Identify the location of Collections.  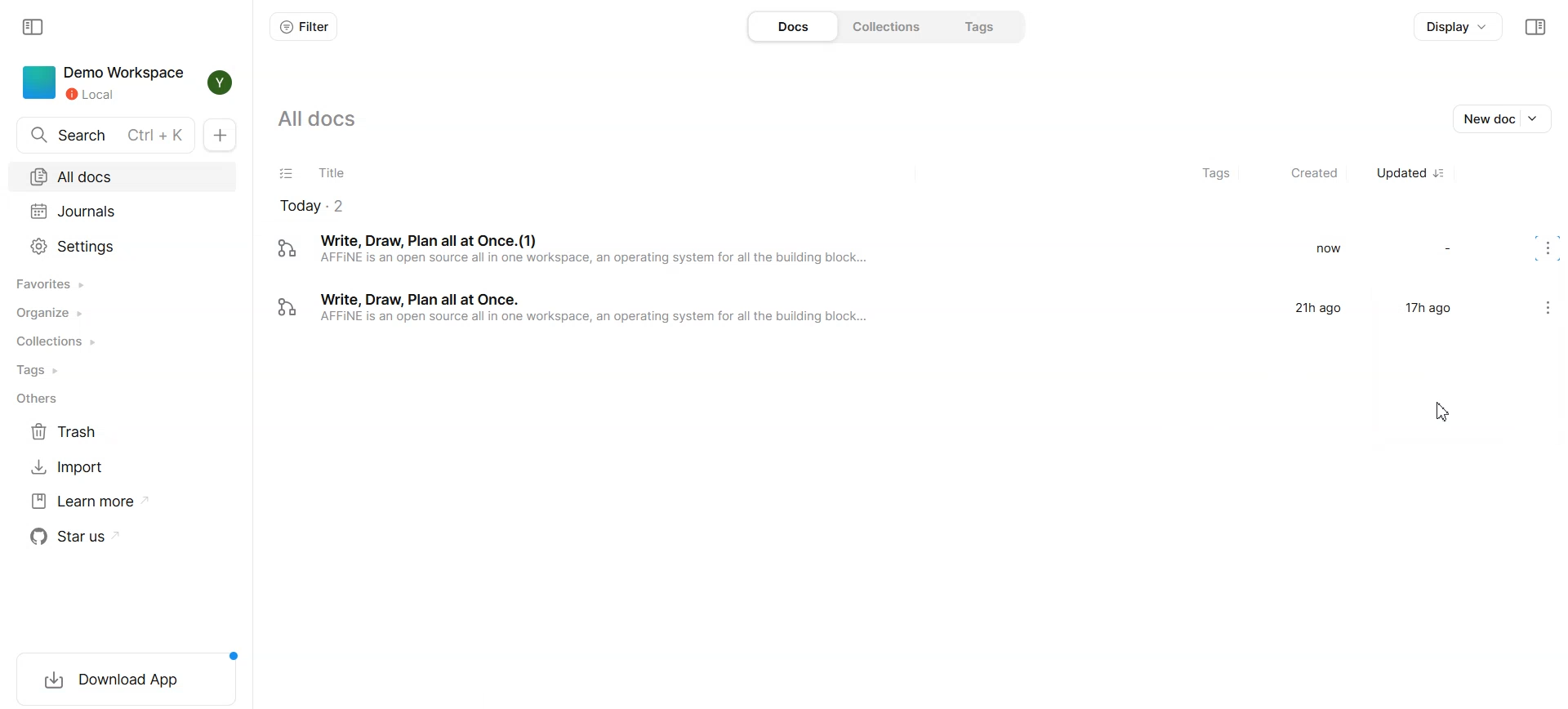
(122, 342).